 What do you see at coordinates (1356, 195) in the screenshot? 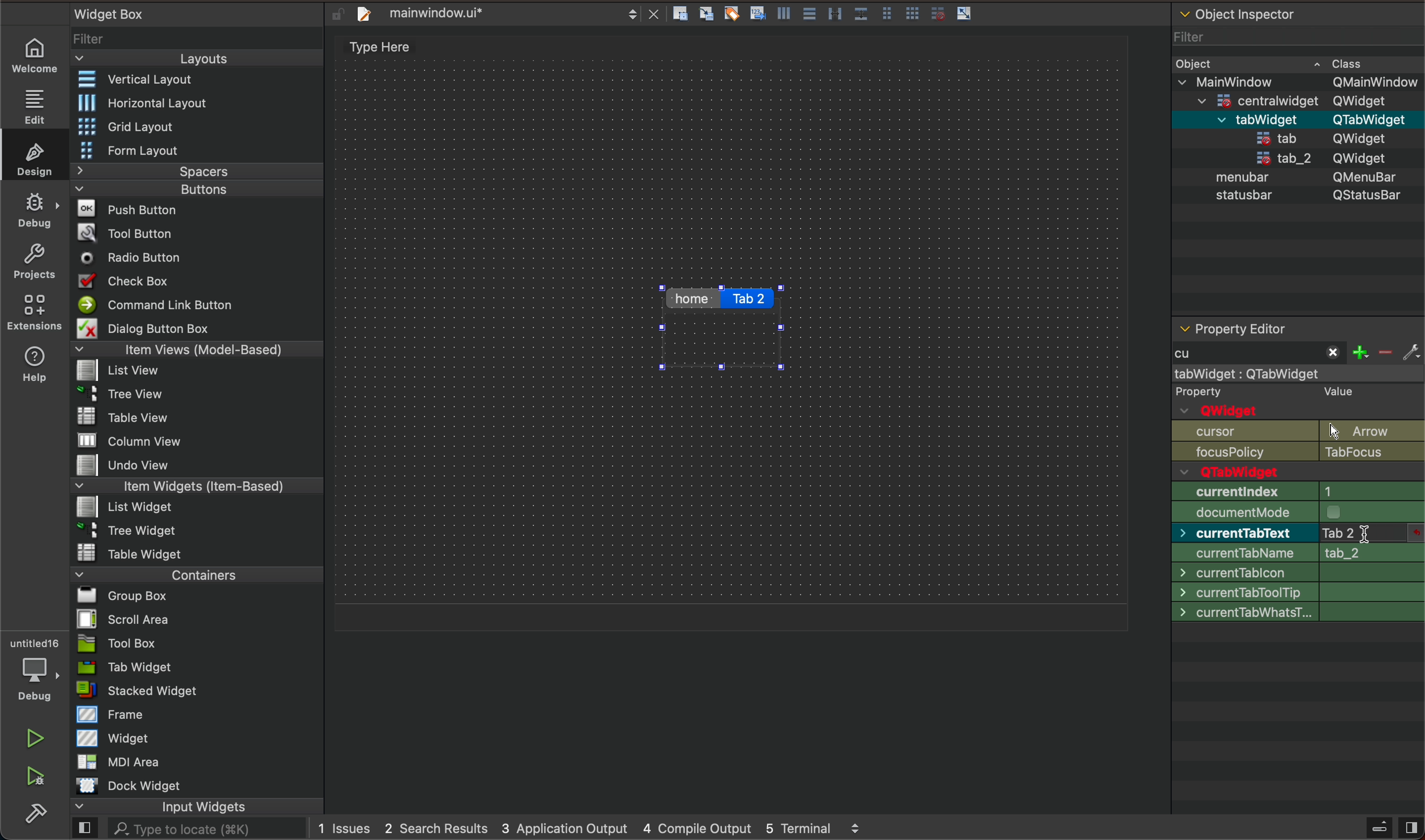
I see `QStatusBar` at bounding box center [1356, 195].